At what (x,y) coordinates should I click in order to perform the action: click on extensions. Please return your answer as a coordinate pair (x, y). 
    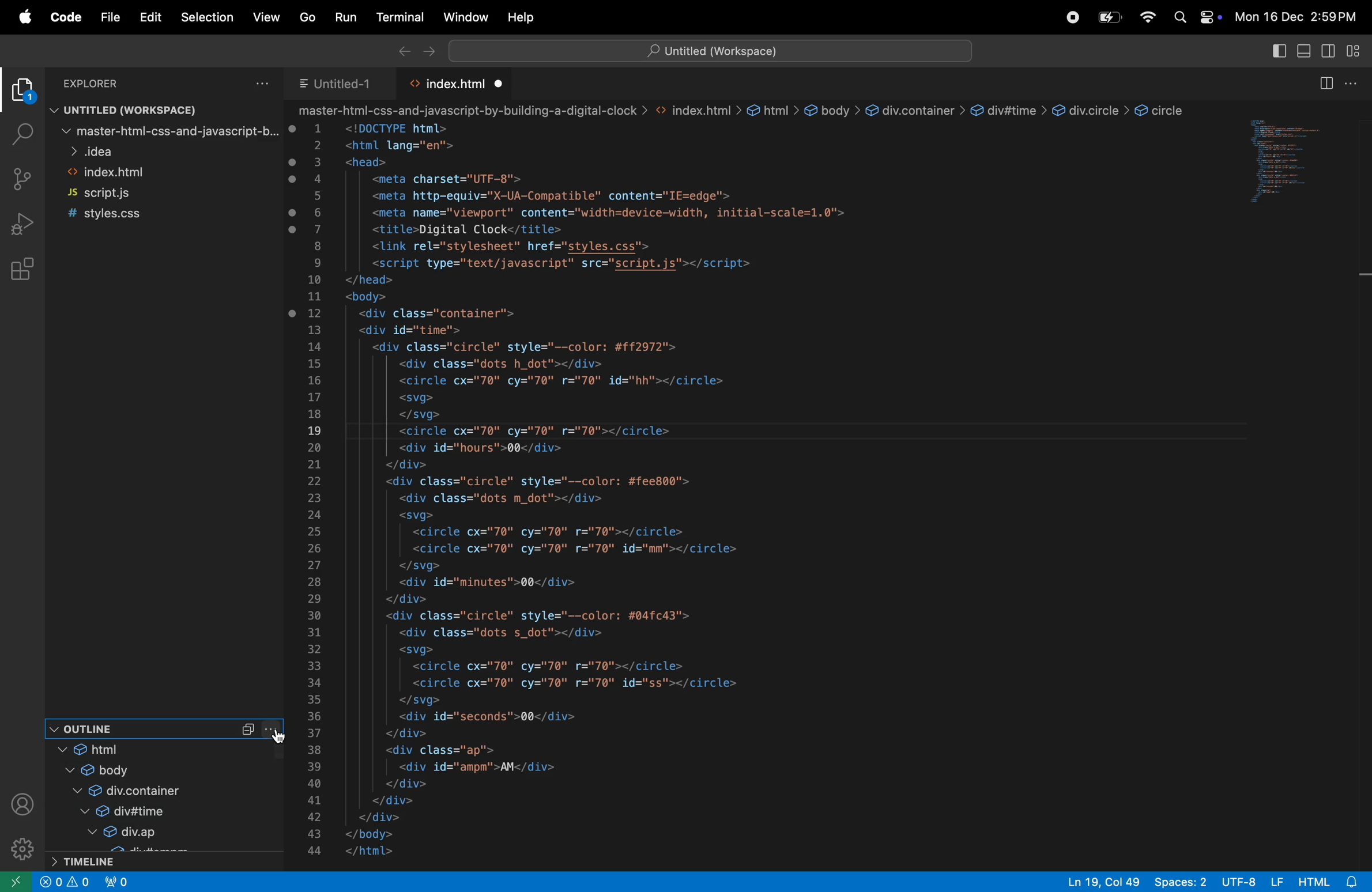
    Looking at the image, I should click on (20, 269).